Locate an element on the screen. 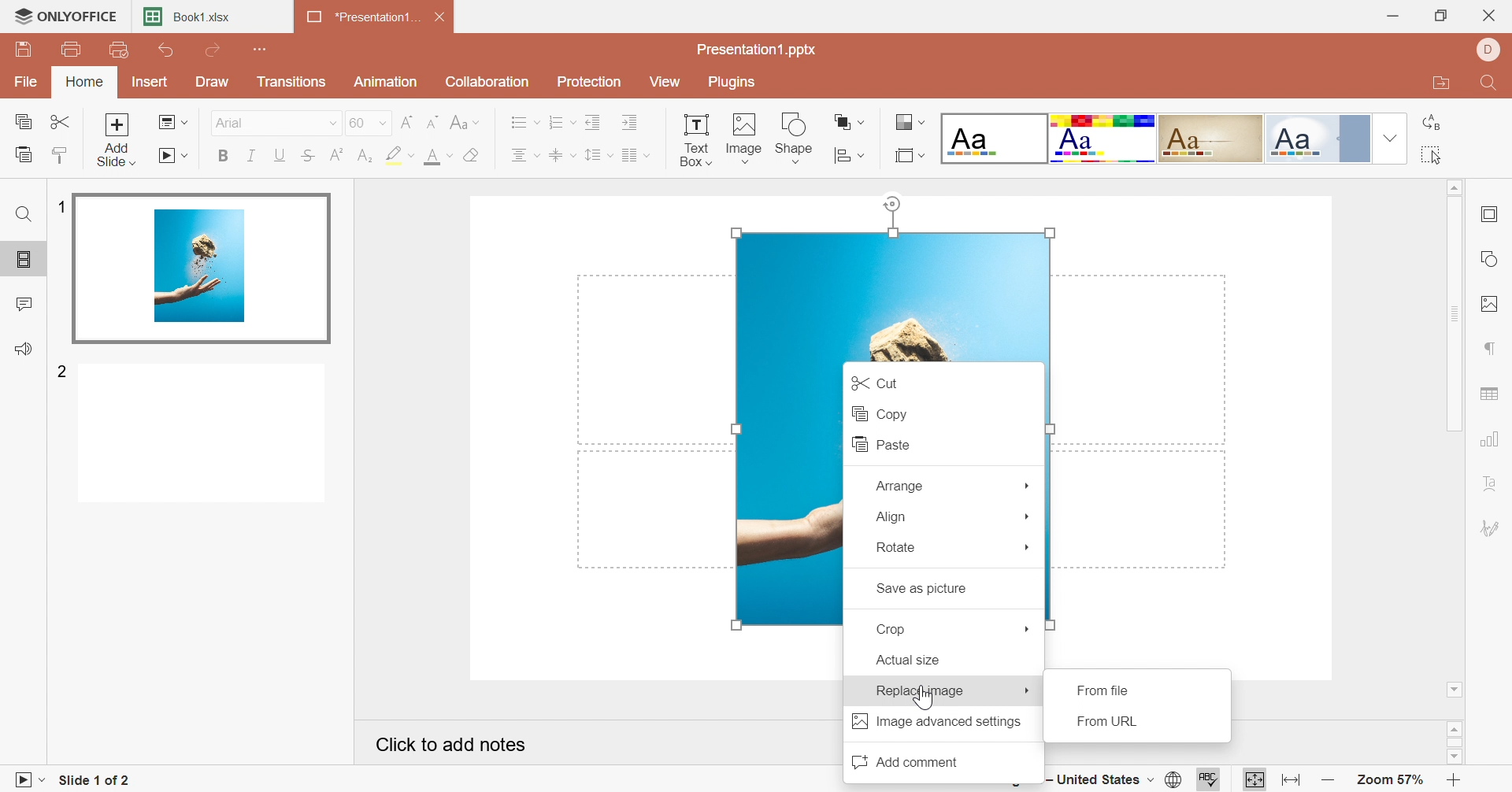 Image resolution: width=1512 pixels, height=792 pixels. paragraph settings is located at coordinates (1491, 347).